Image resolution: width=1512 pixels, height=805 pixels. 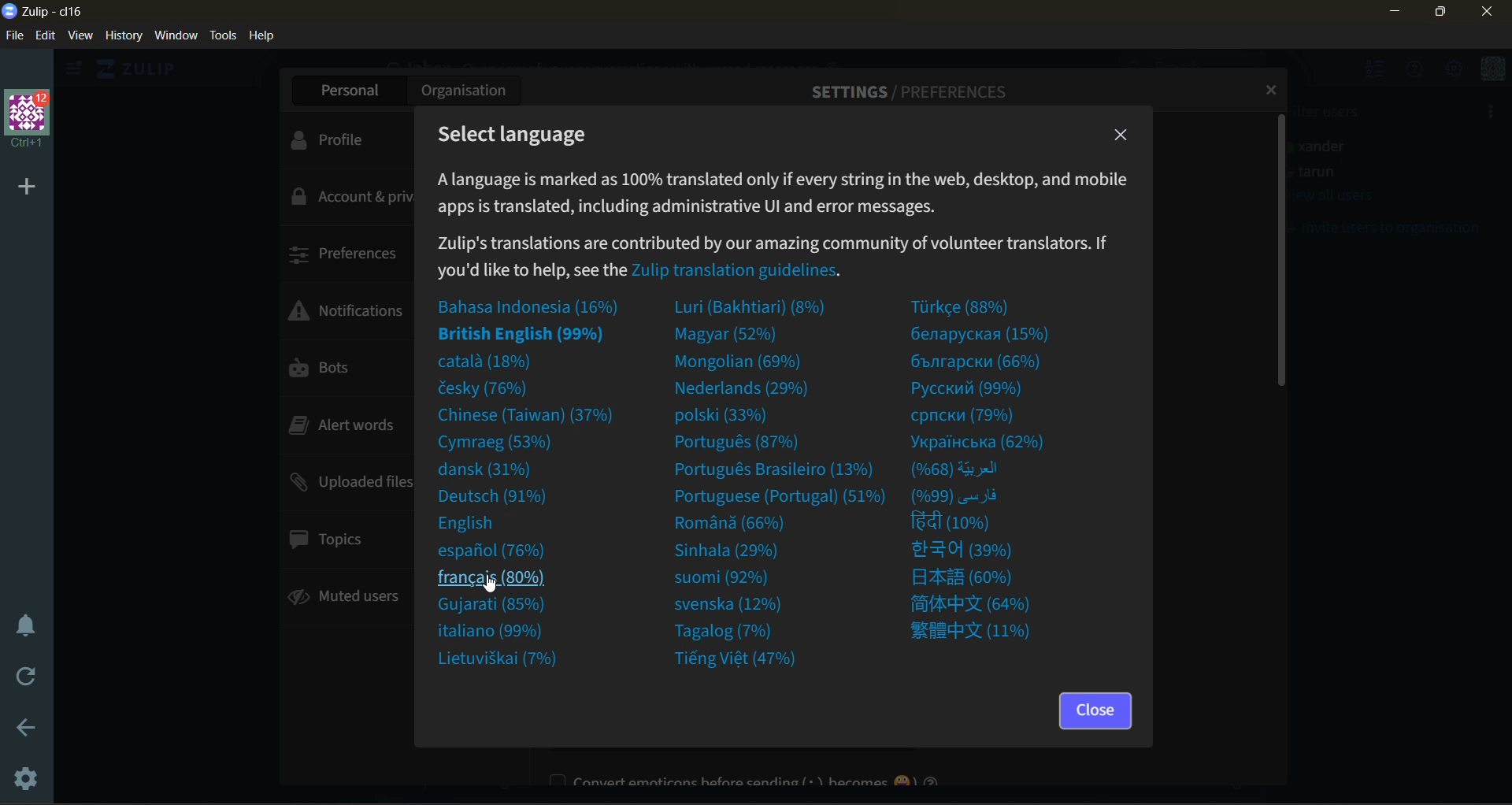 I want to click on hide user list, so click(x=1361, y=72).